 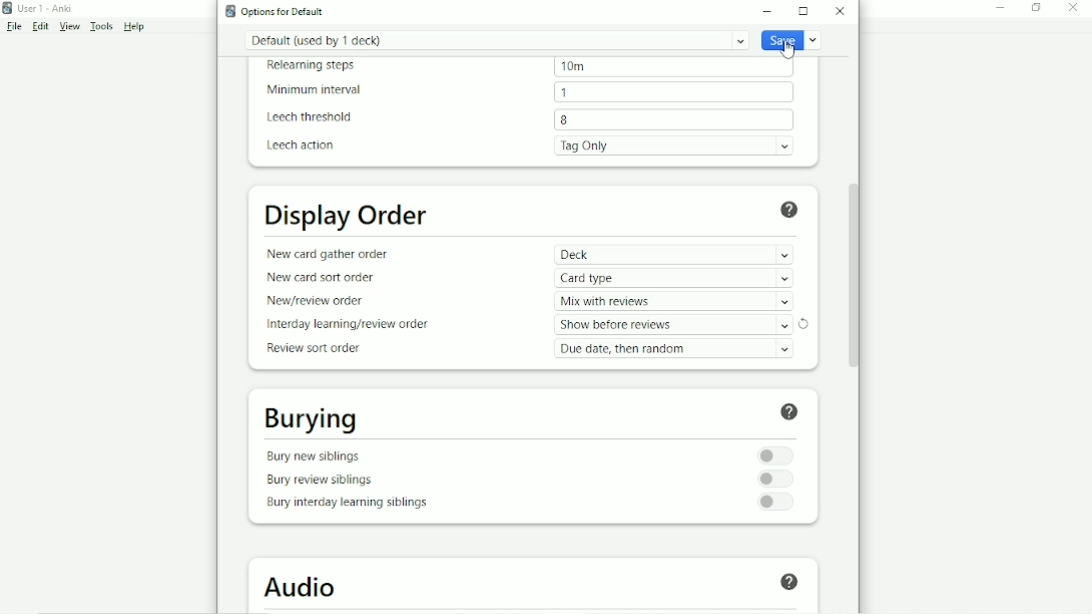 I want to click on Card type, so click(x=674, y=278).